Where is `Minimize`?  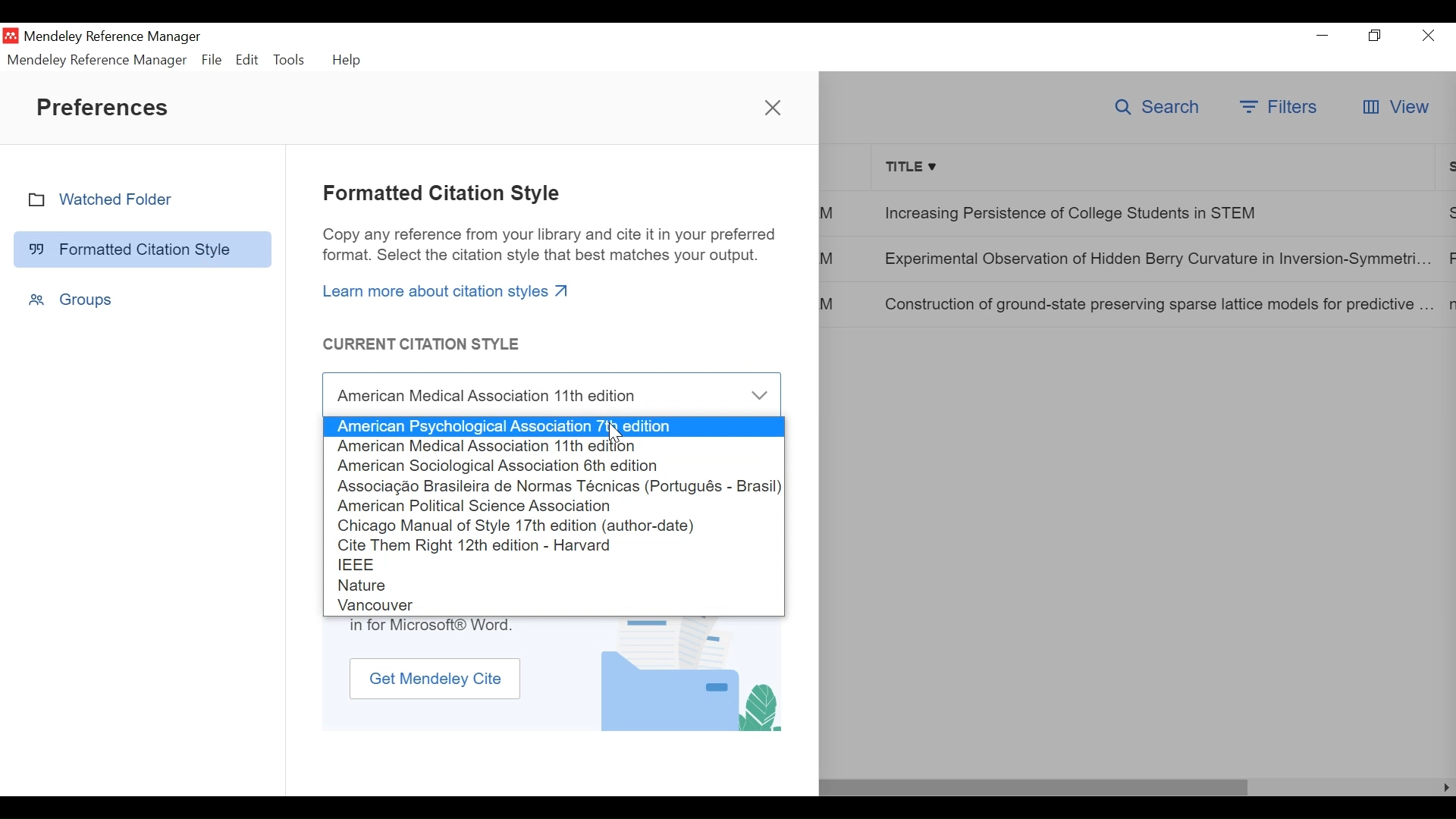
Minimize is located at coordinates (1323, 35).